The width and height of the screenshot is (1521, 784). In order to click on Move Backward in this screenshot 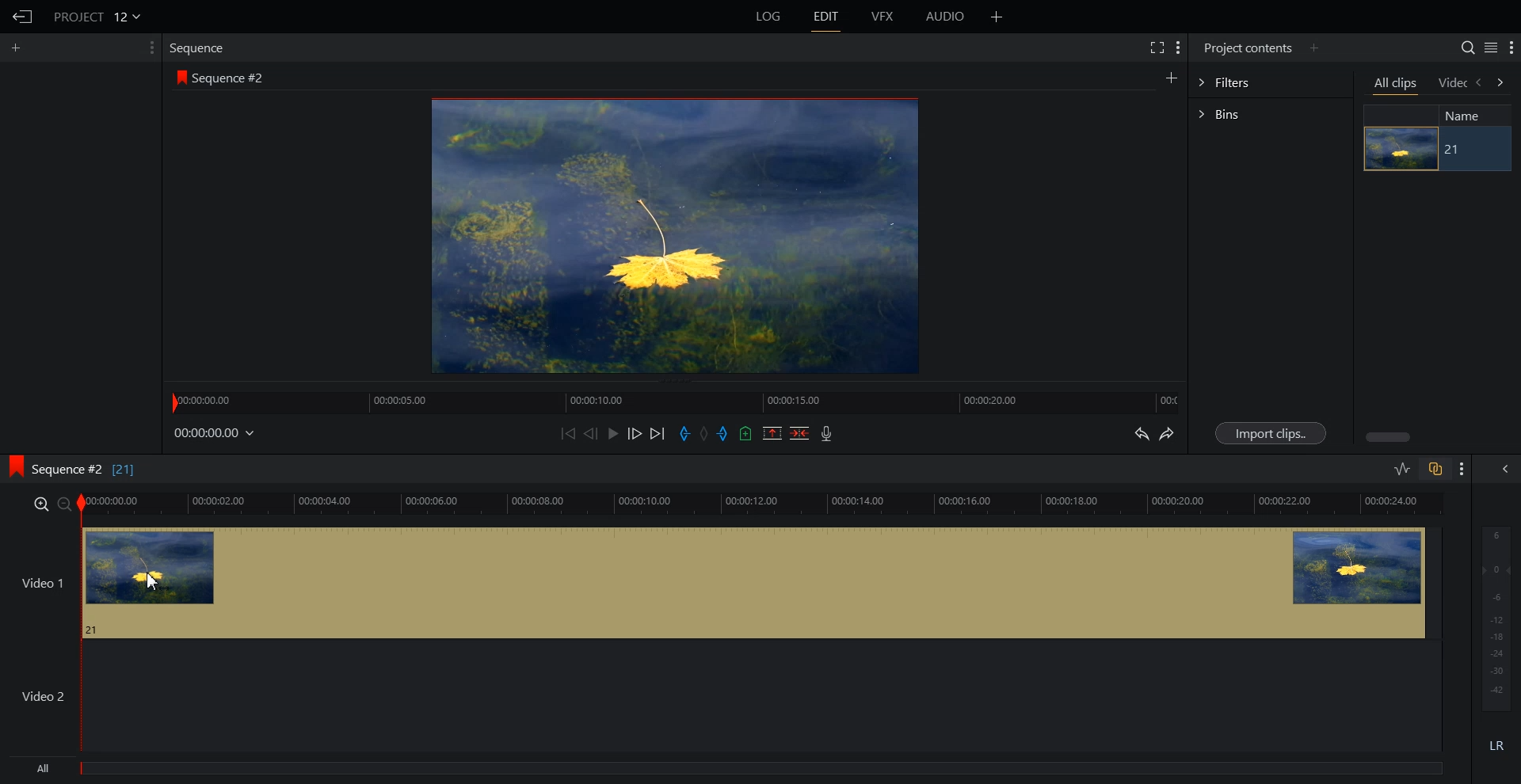, I will do `click(570, 432)`.